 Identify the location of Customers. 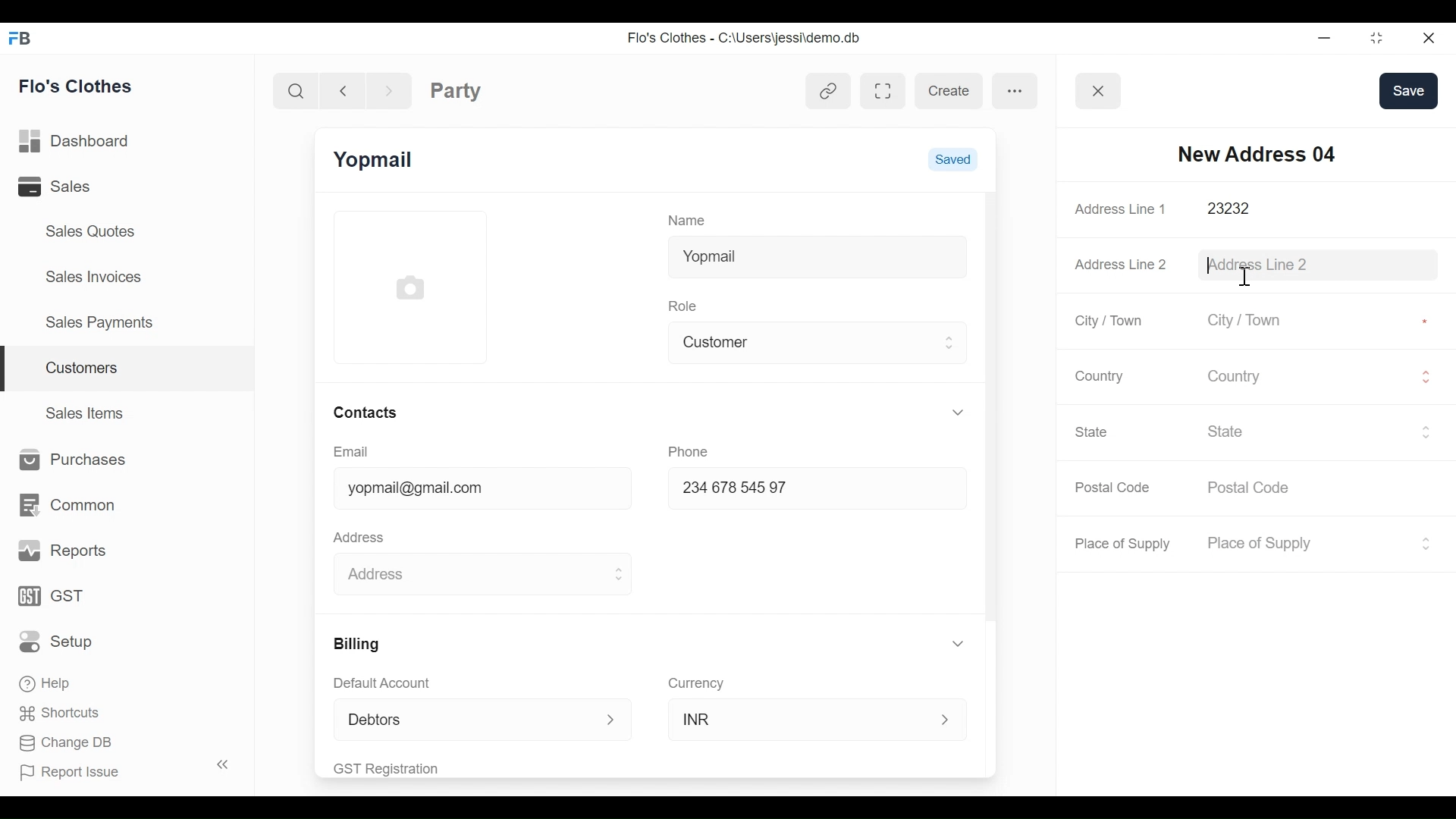
(129, 369).